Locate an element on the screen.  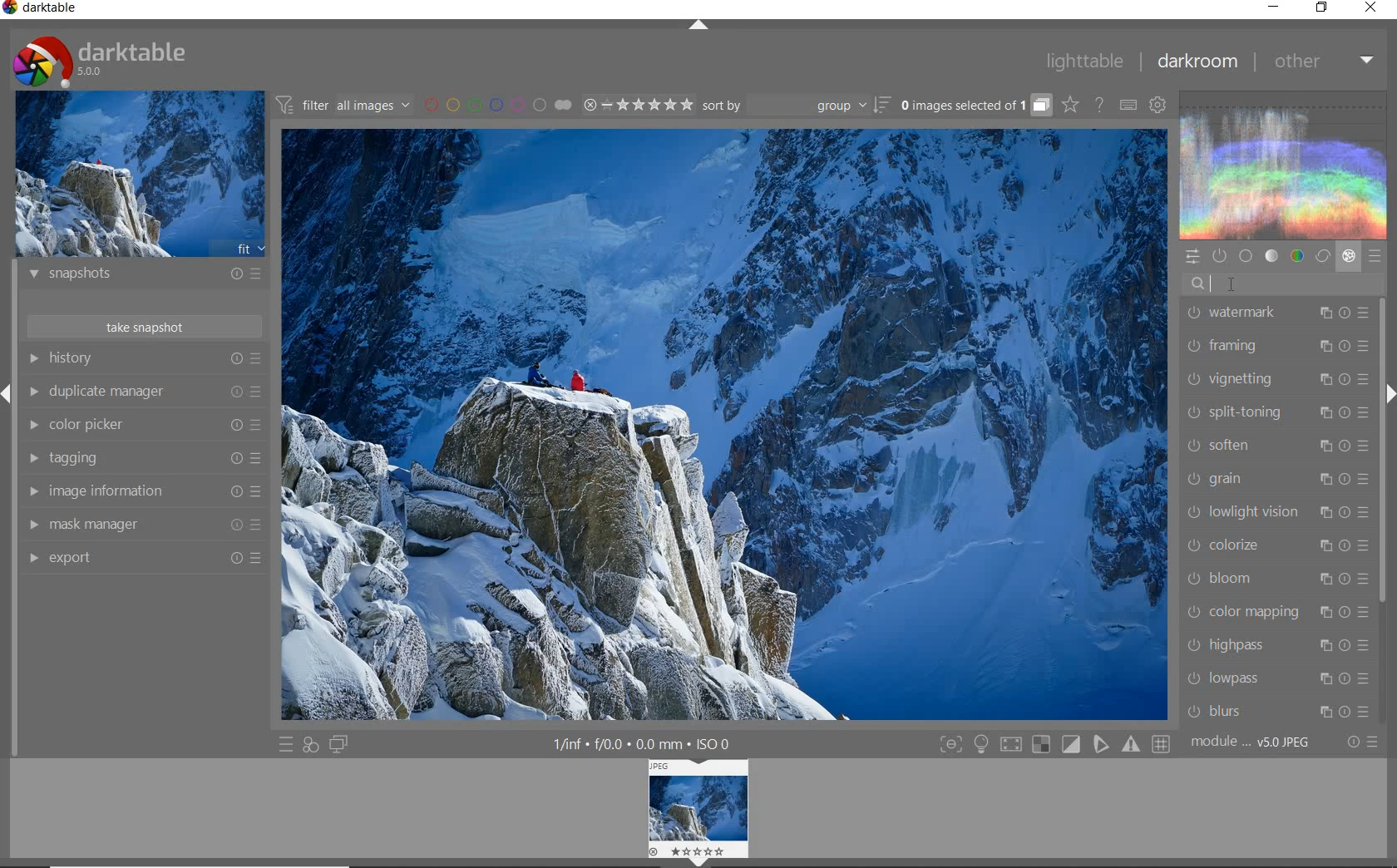
other is located at coordinates (1322, 62).